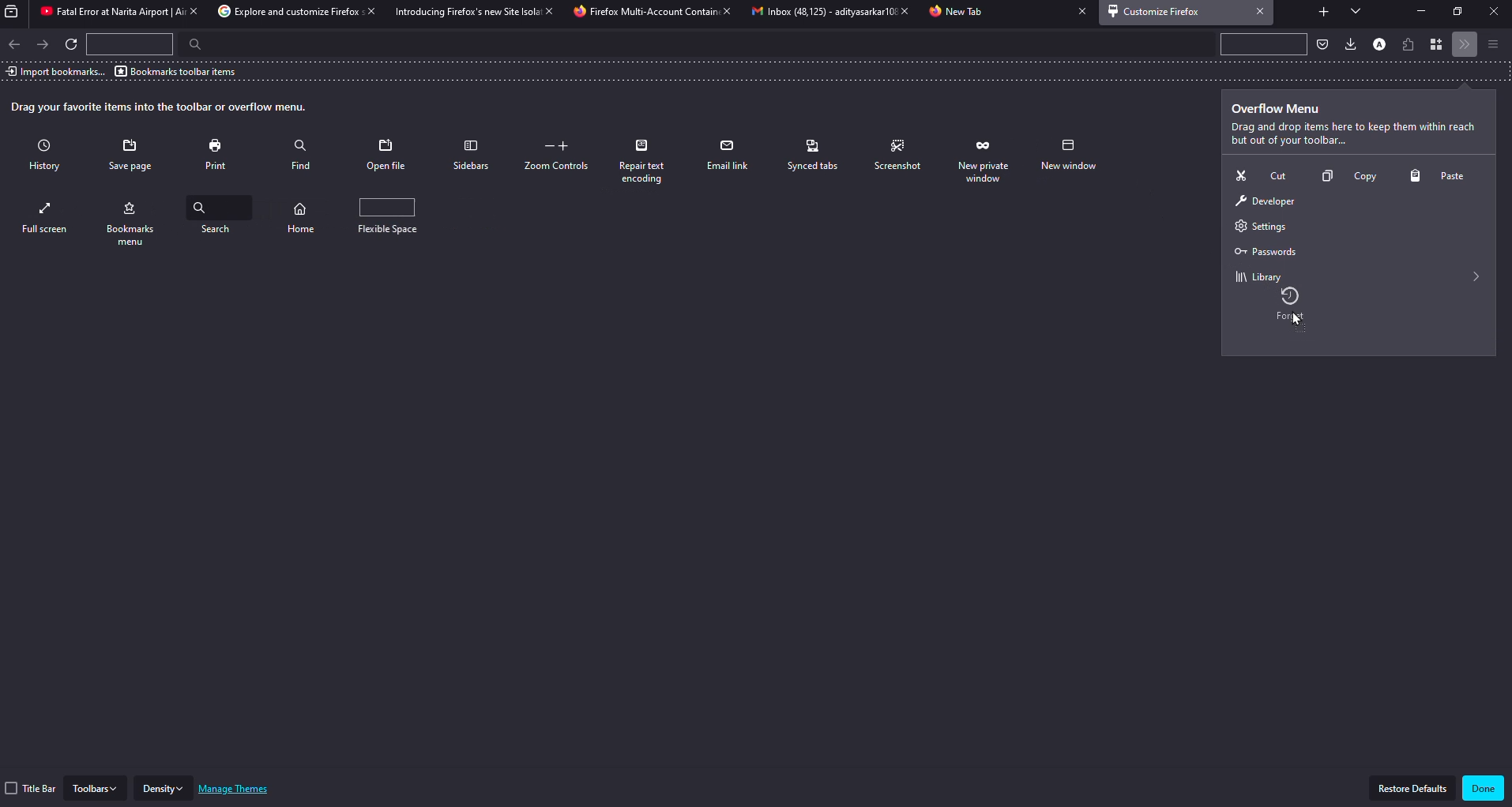 This screenshot has height=807, width=1512. I want to click on manage themes, so click(235, 789).